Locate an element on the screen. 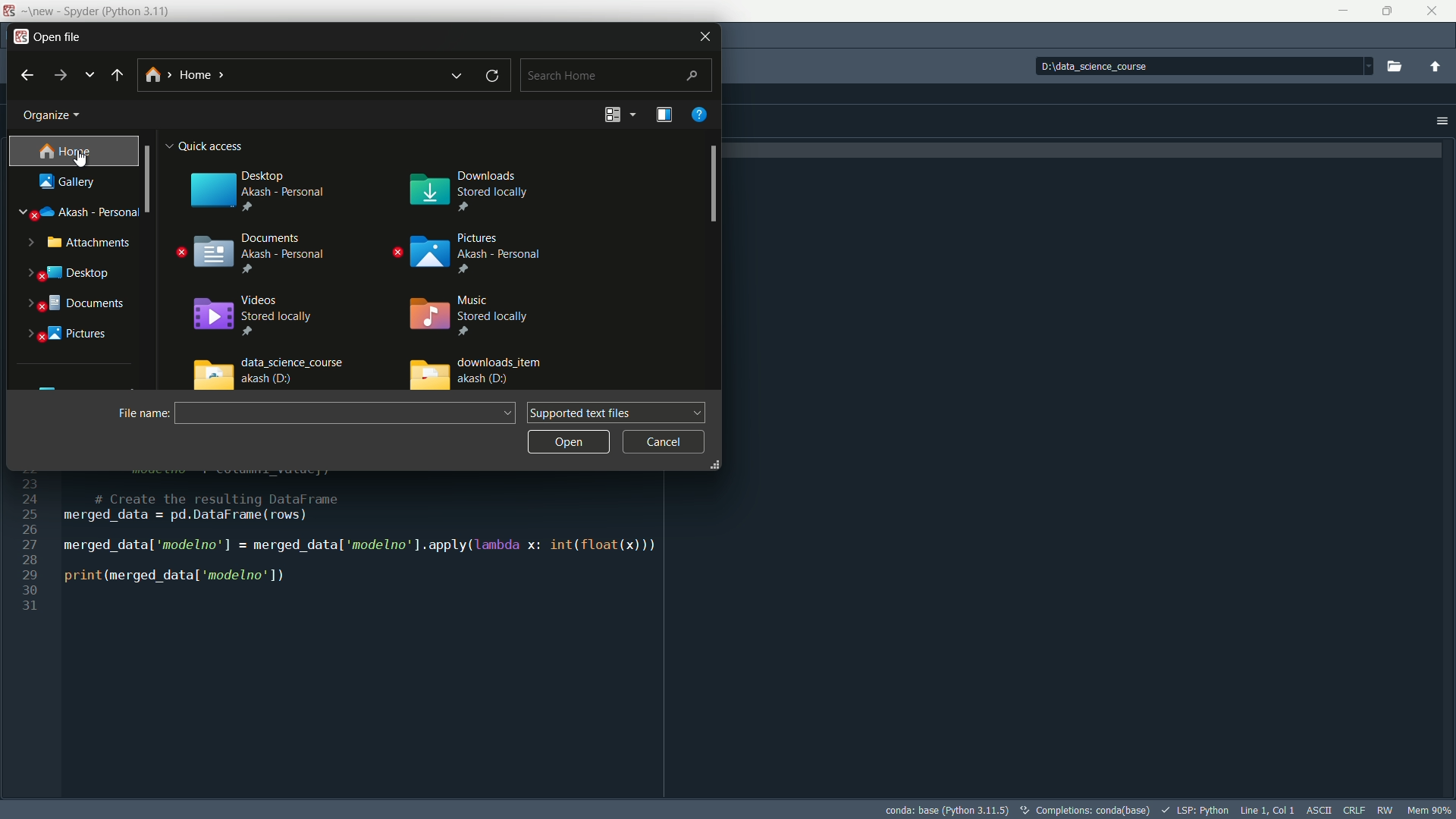 The image size is (1456, 819). desktop is located at coordinates (82, 273).